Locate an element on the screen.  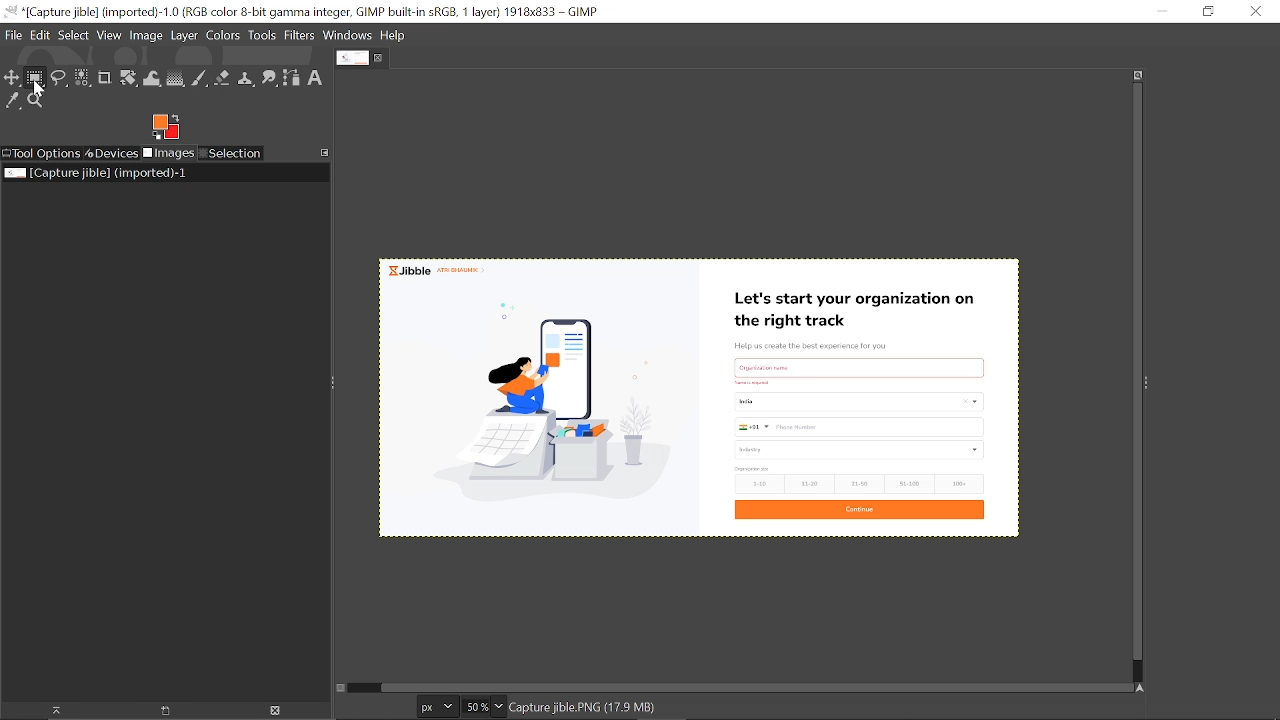
Zoom when window size changes is located at coordinates (1138, 75).